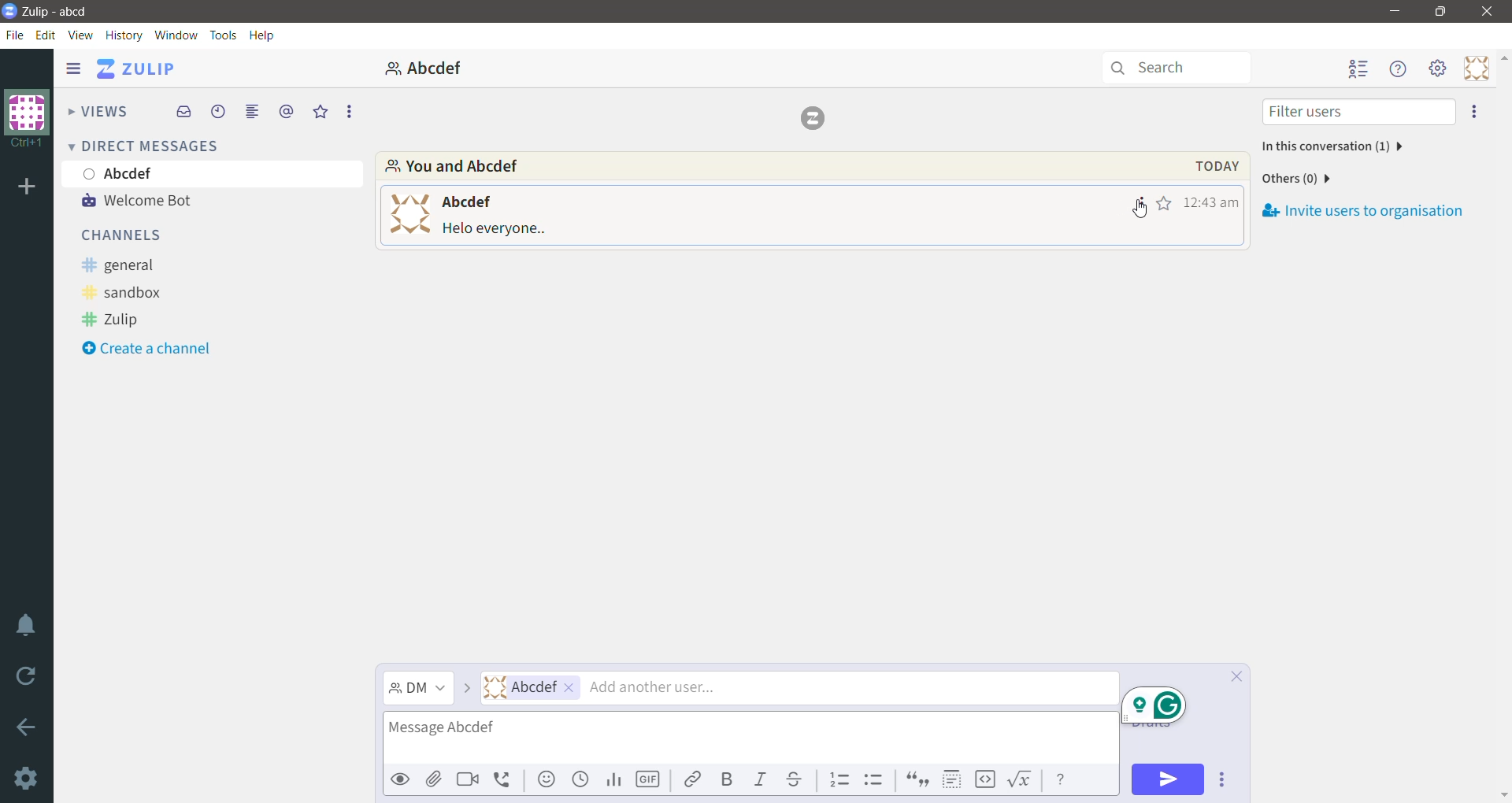 The height and width of the screenshot is (803, 1512). I want to click on Message actions, so click(1138, 202).